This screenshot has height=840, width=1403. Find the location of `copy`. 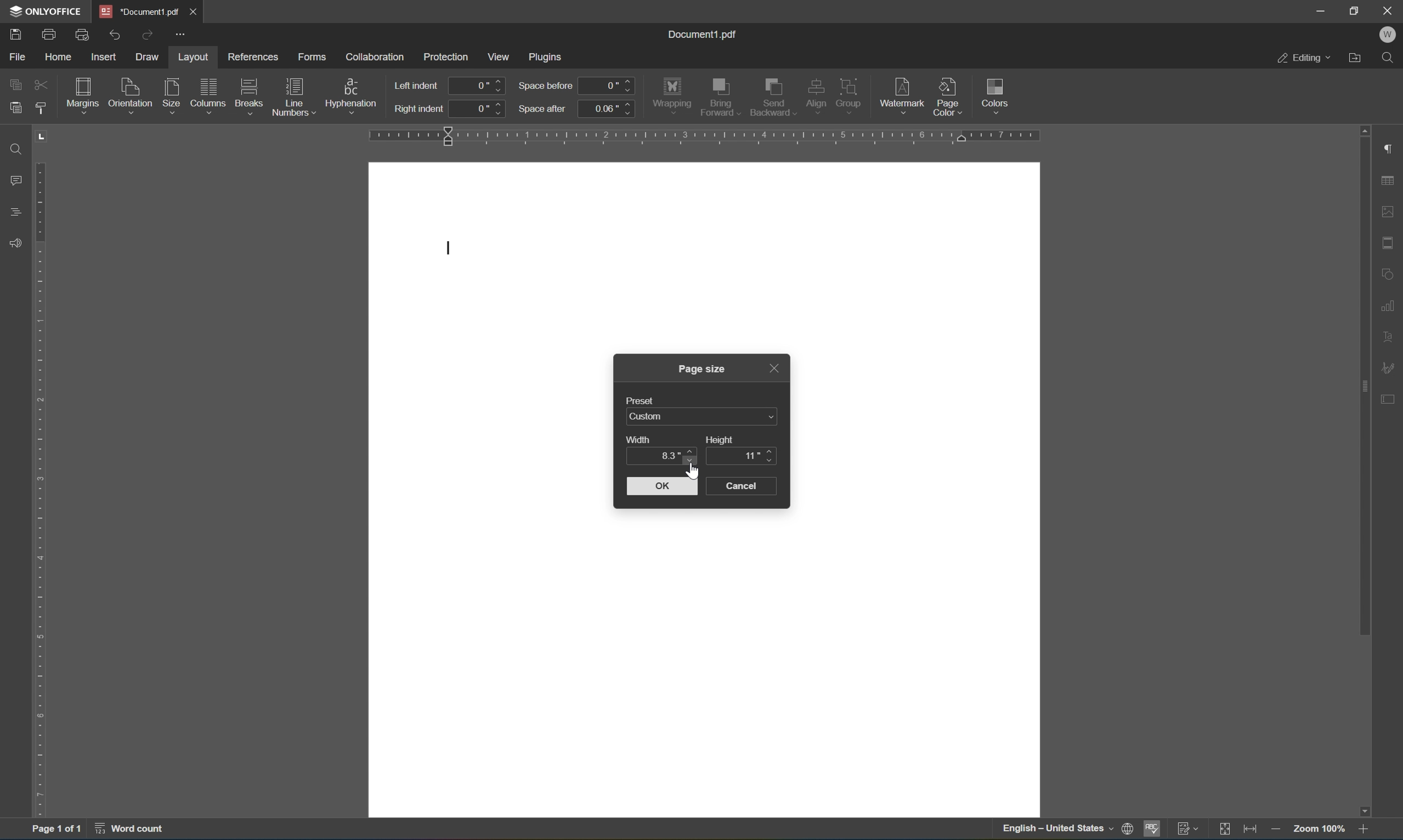

copy is located at coordinates (15, 83).